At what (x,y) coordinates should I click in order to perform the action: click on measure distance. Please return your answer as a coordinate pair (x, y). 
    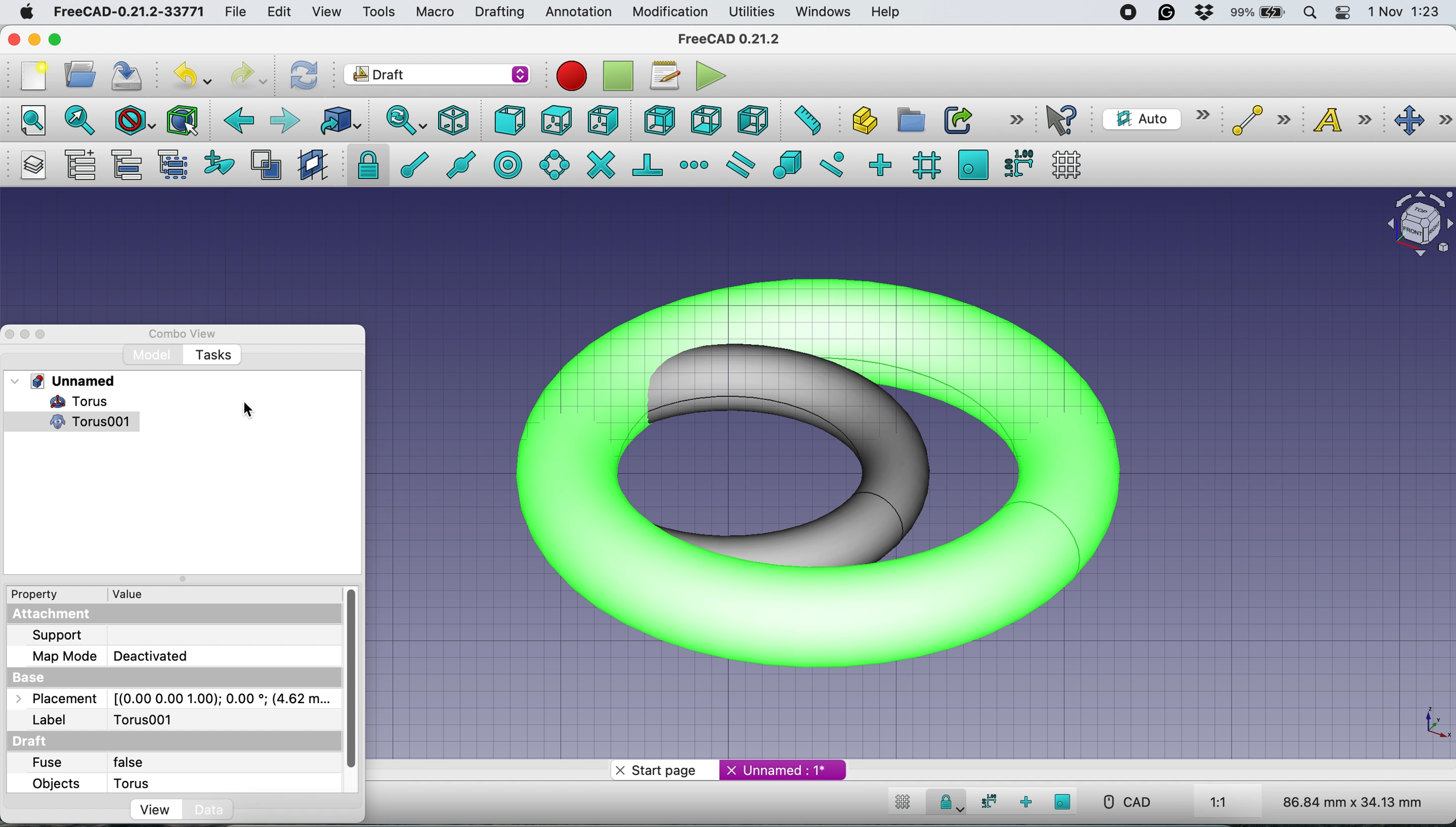
    Looking at the image, I should click on (806, 122).